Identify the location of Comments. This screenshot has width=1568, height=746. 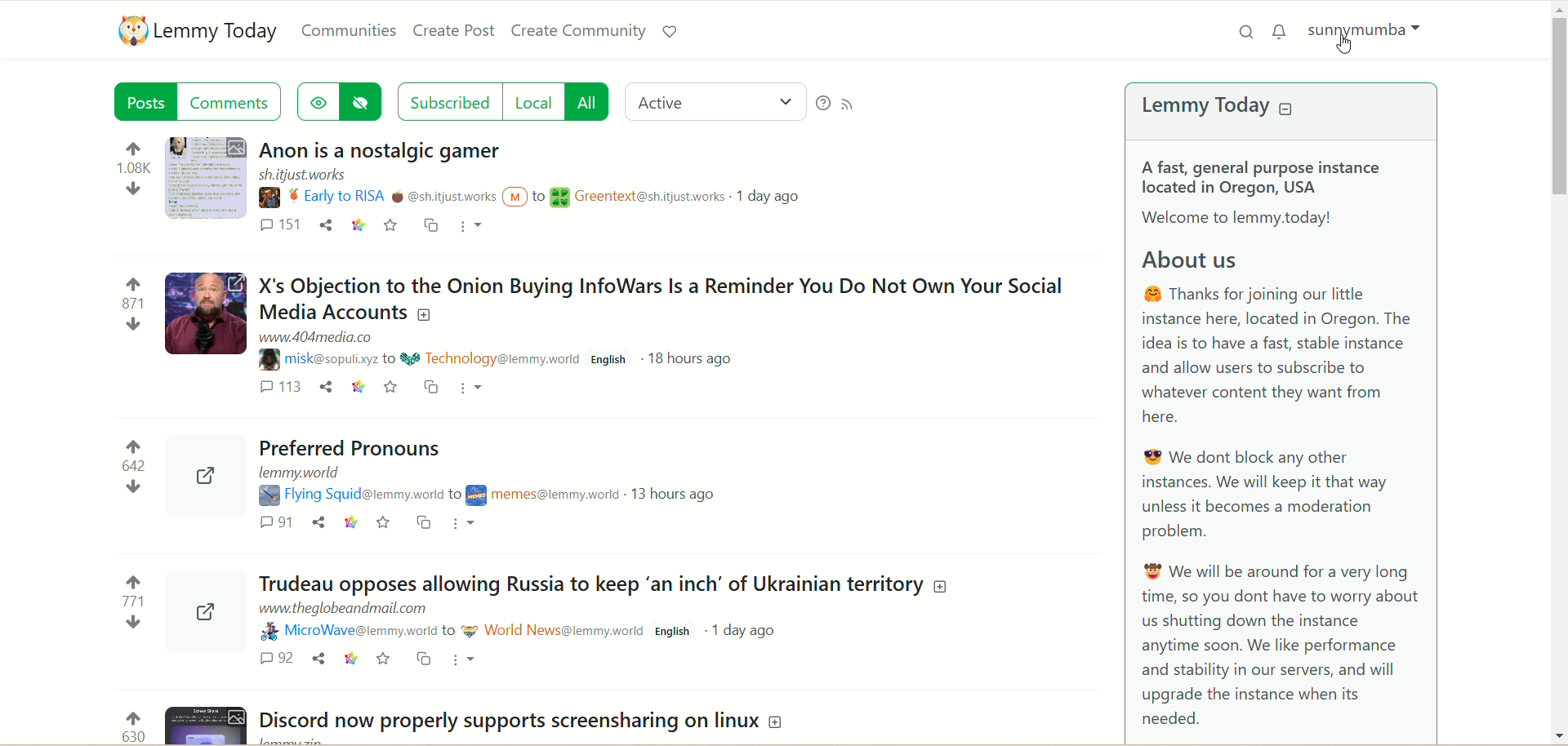
(272, 658).